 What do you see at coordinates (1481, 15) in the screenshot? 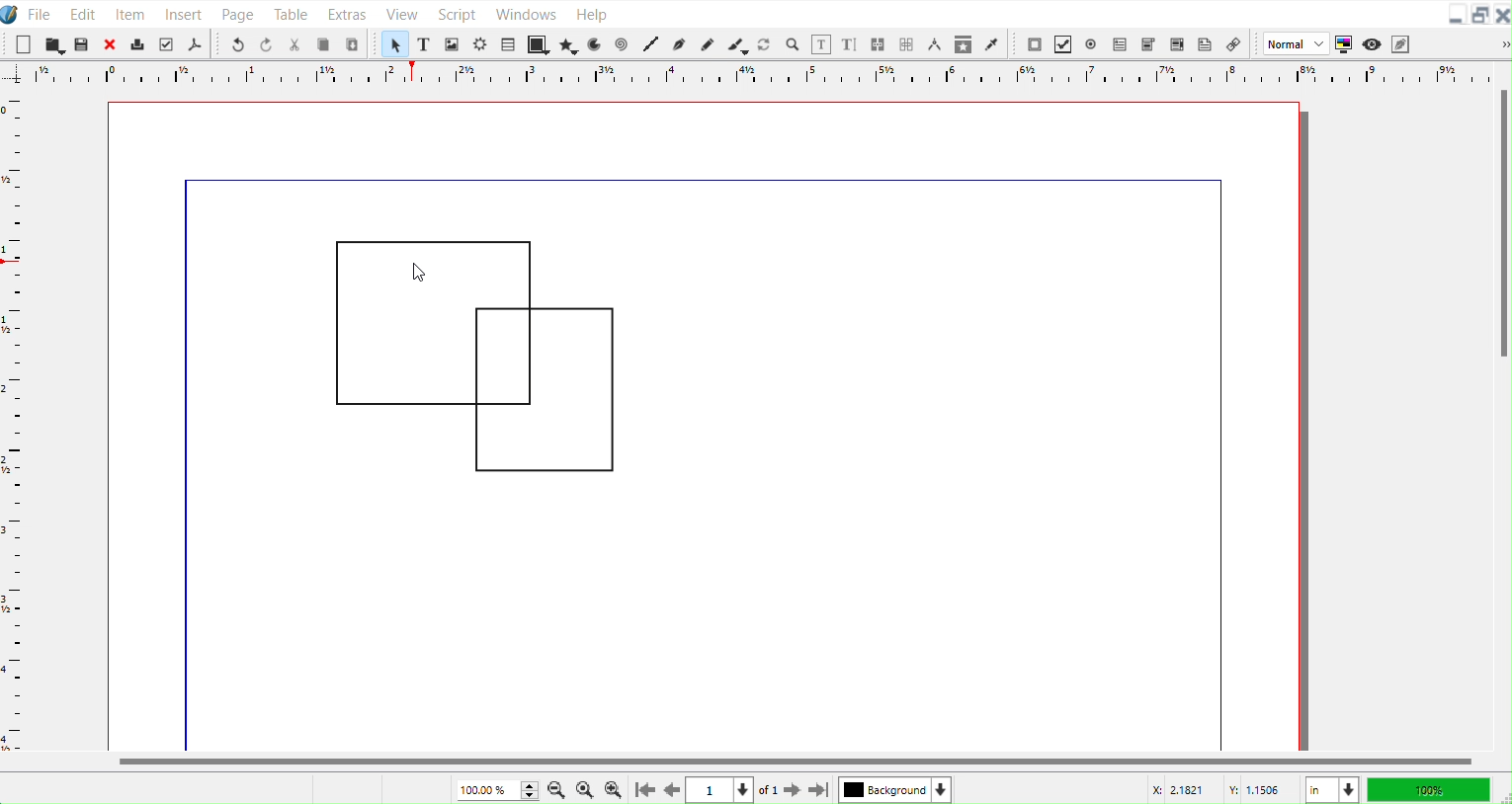
I see `Maximize` at bounding box center [1481, 15].